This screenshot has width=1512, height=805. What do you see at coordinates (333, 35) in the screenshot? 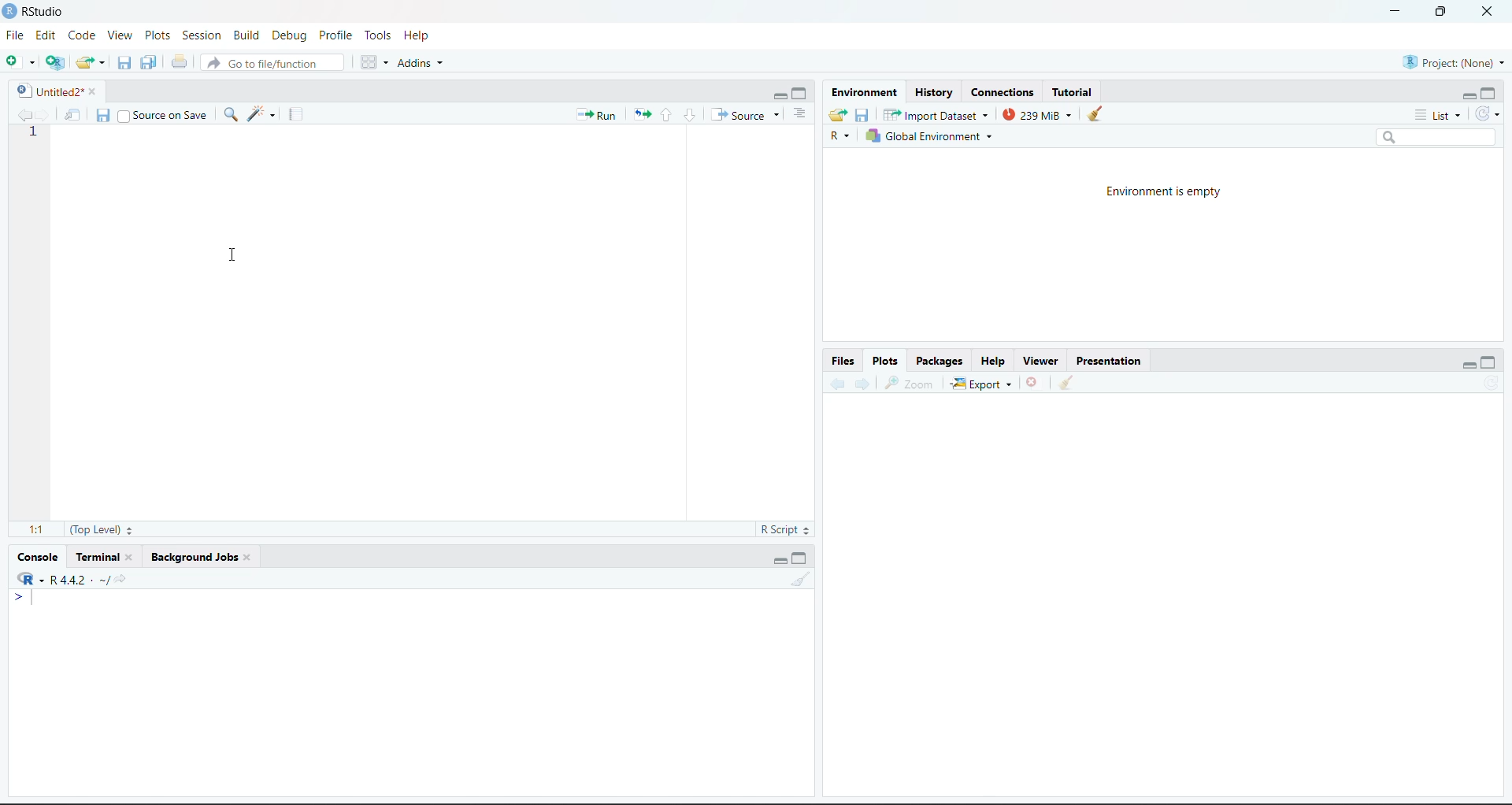
I see `Profile` at bounding box center [333, 35].